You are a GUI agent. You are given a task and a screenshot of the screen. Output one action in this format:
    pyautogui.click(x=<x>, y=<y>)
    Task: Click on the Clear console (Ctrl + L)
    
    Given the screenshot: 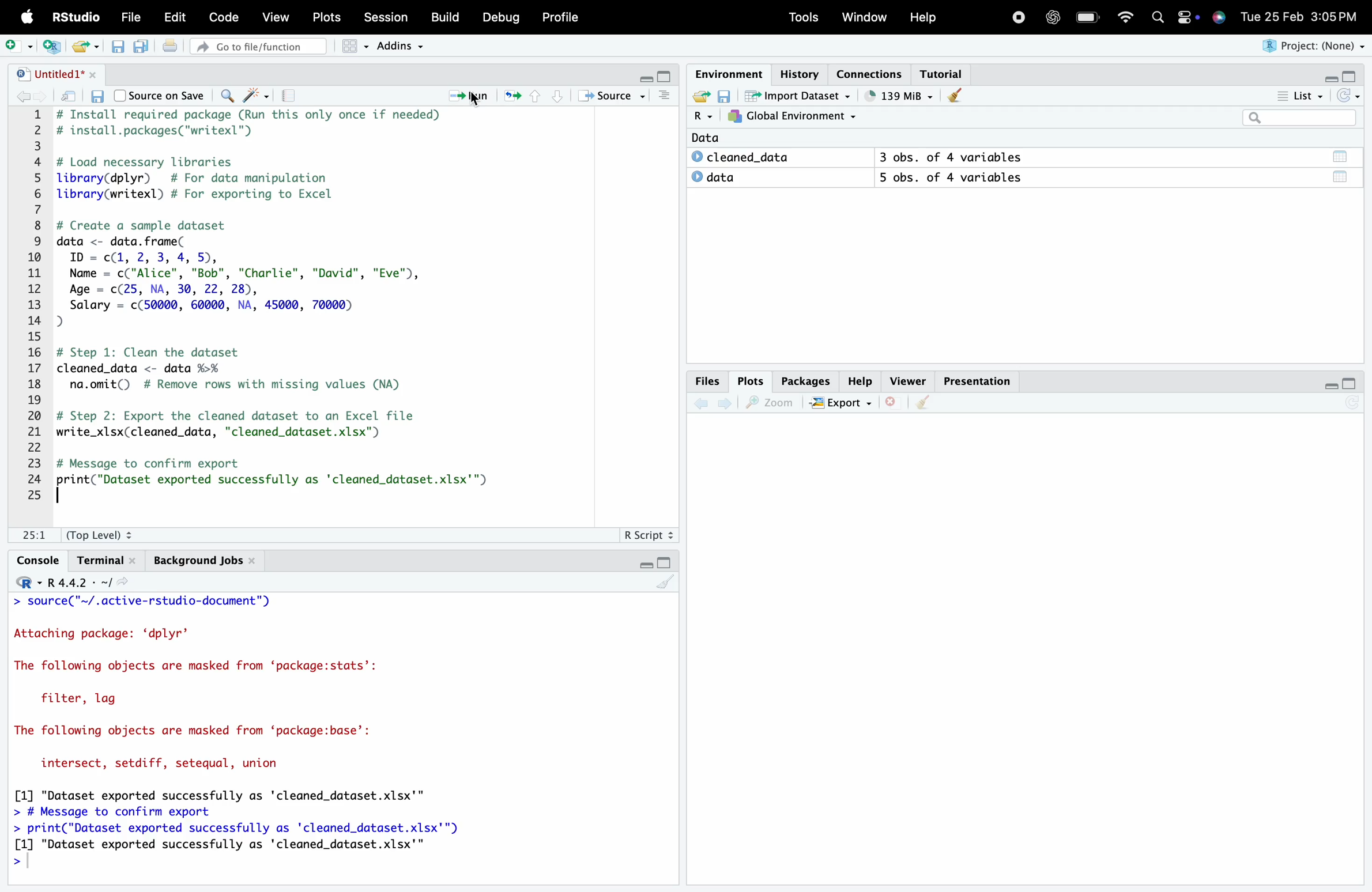 What is the action you would take?
    pyautogui.click(x=953, y=97)
    